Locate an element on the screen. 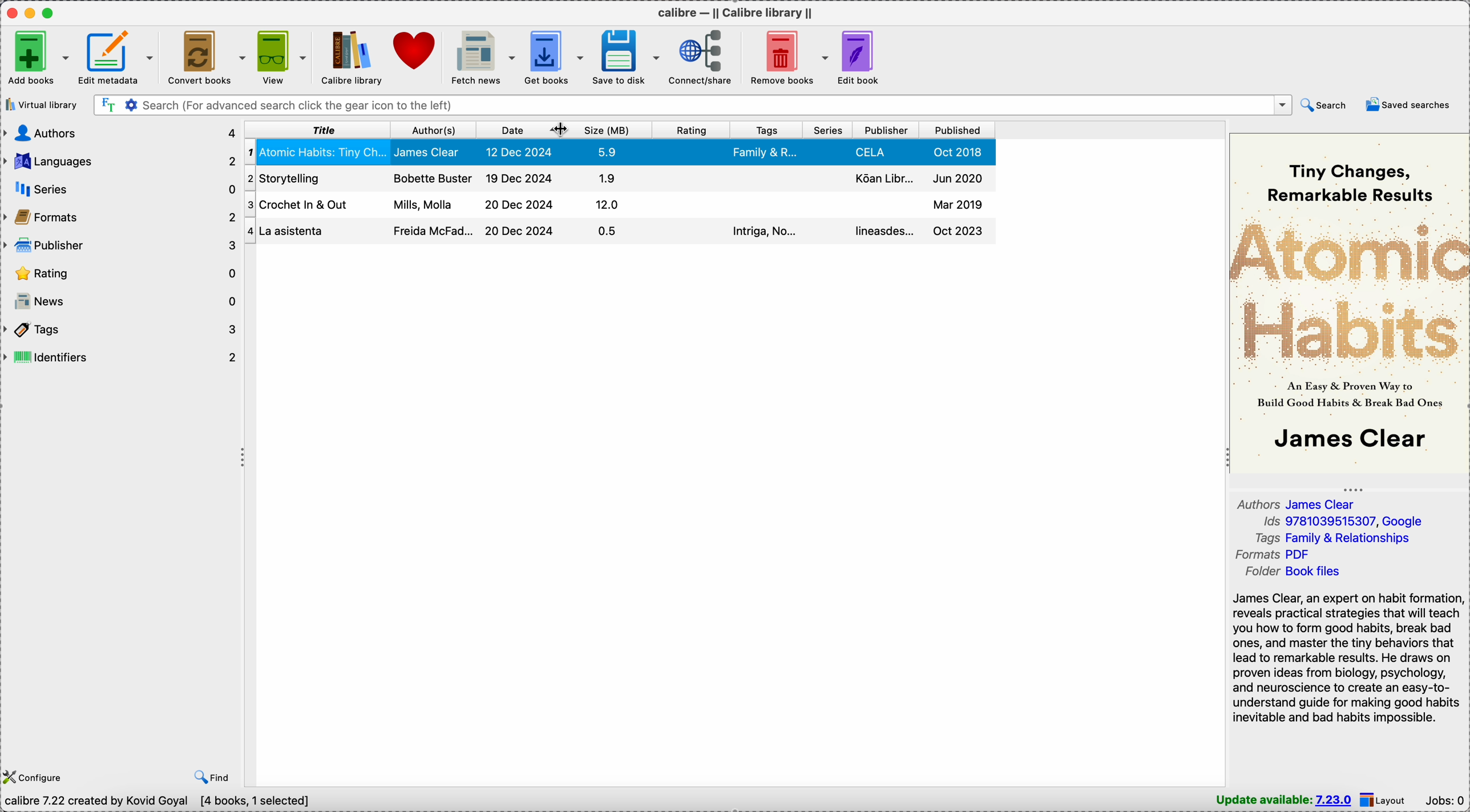 This screenshot has height=812, width=1470. series is located at coordinates (122, 190).